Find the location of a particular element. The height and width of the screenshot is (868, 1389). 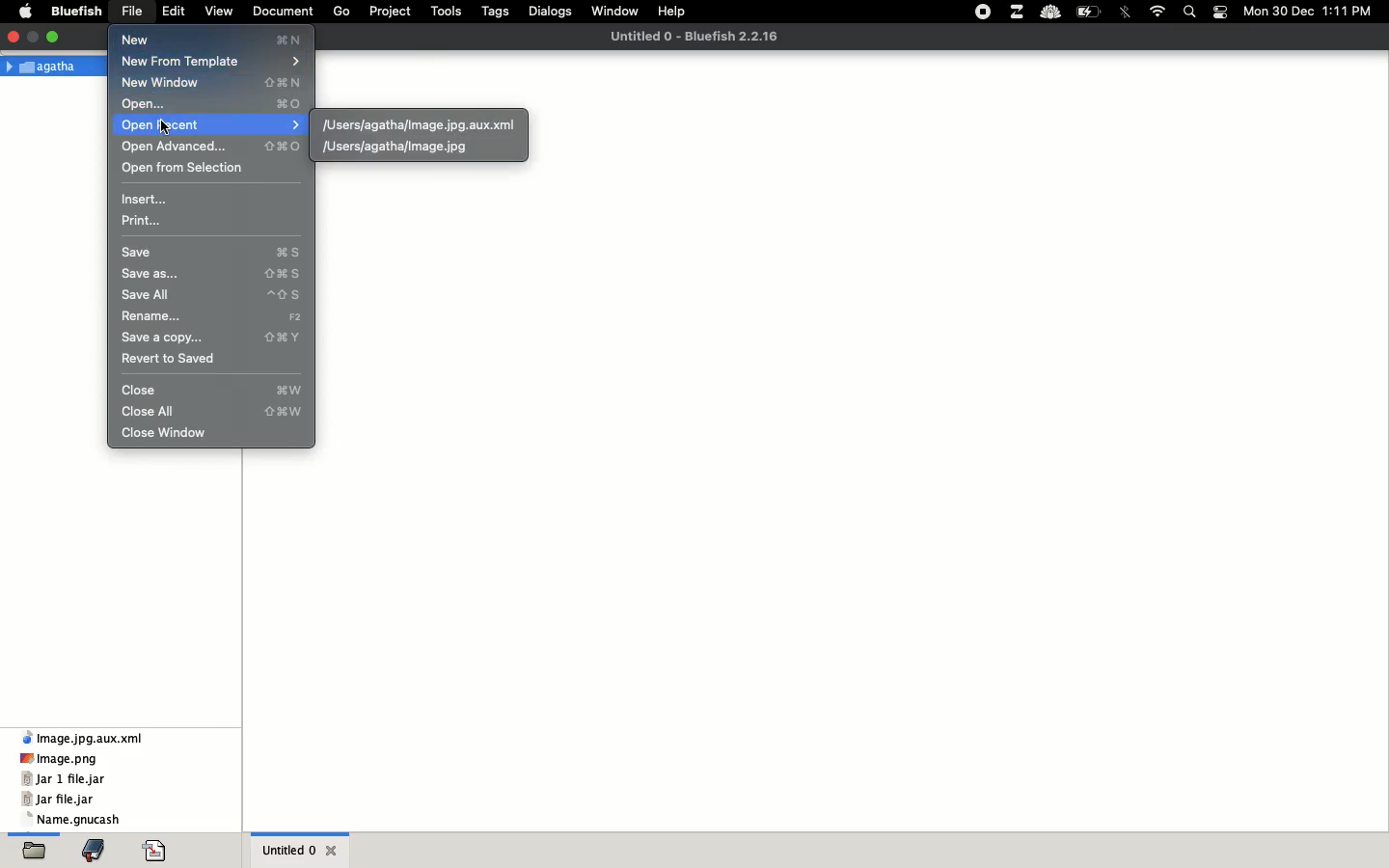

Agatha is located at coordinates (46, 66).